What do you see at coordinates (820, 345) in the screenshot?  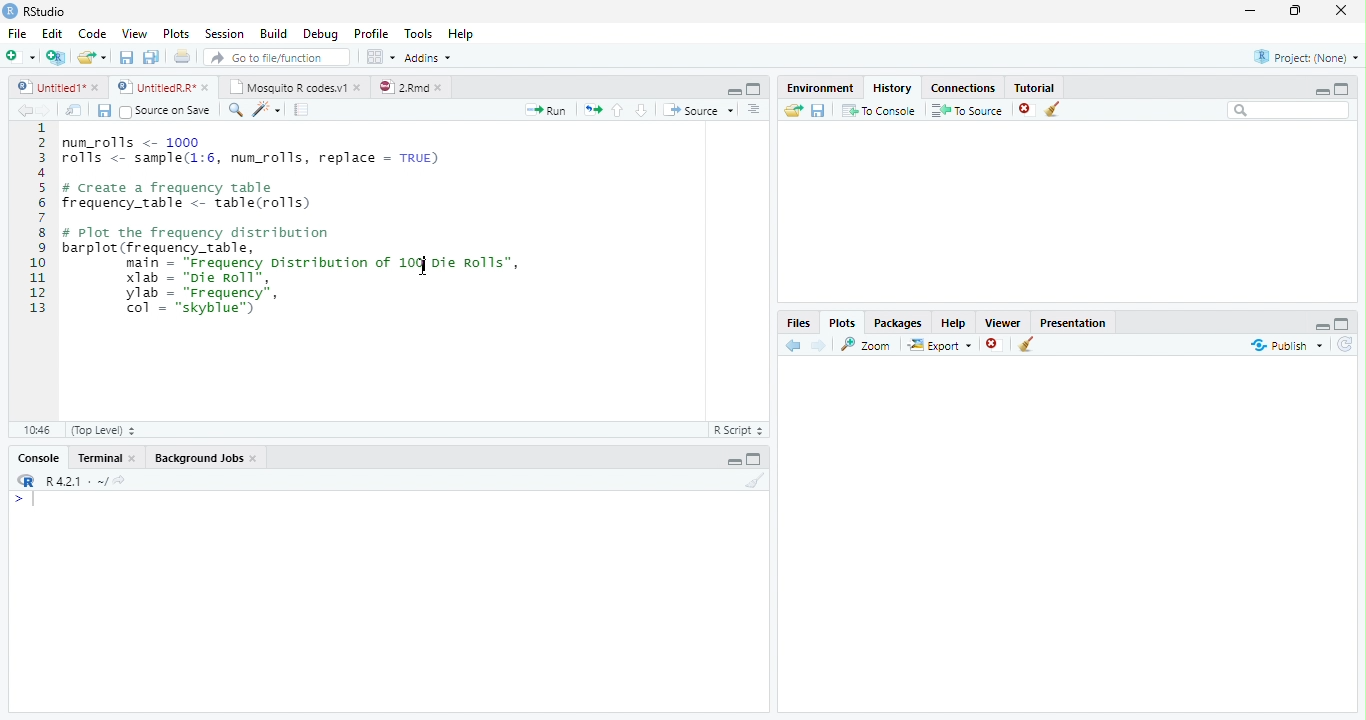 I see `Next Plot` at bounding box center [820, 345].